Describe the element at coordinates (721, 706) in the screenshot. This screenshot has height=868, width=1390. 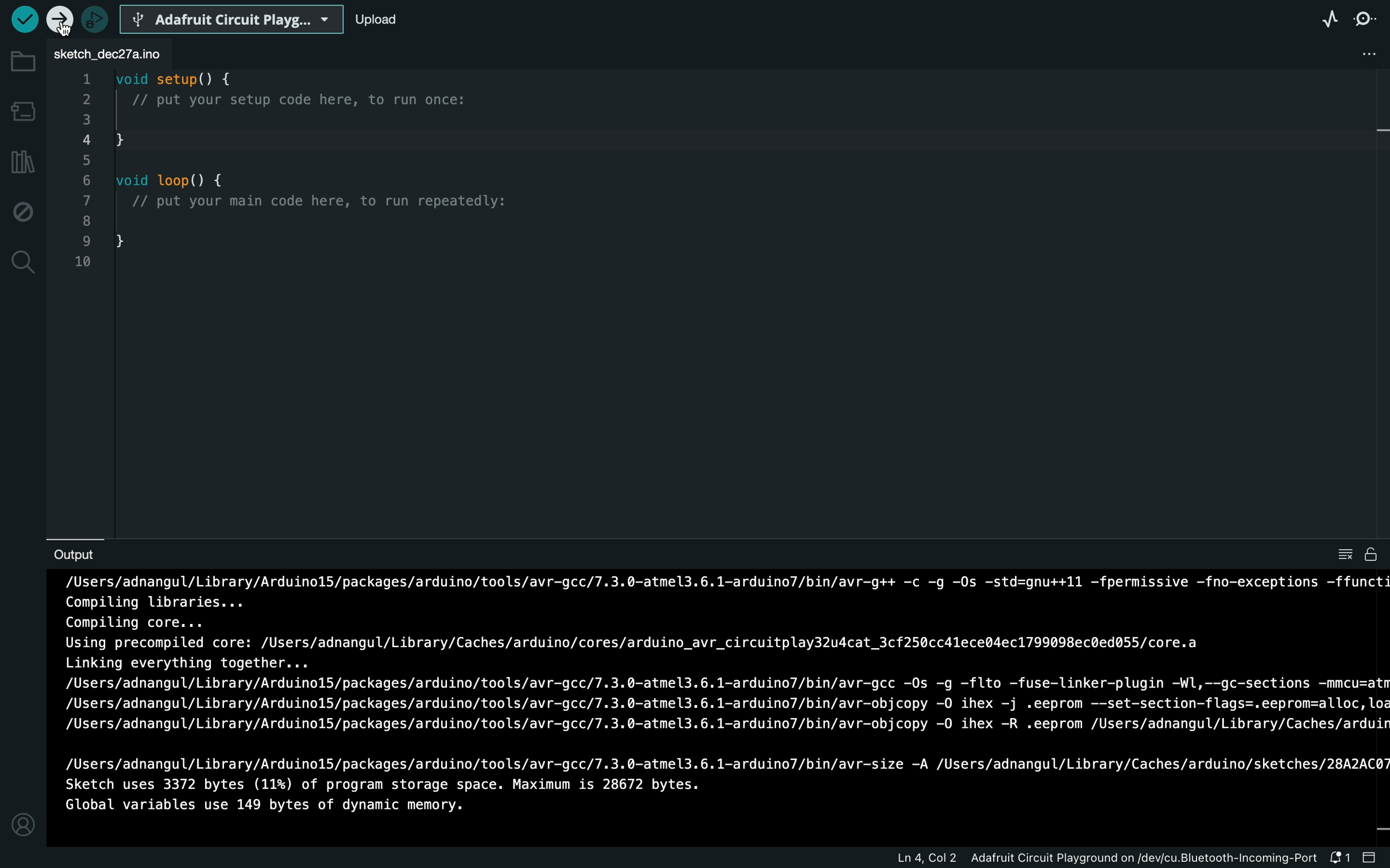
I see `uploading process` at that location.